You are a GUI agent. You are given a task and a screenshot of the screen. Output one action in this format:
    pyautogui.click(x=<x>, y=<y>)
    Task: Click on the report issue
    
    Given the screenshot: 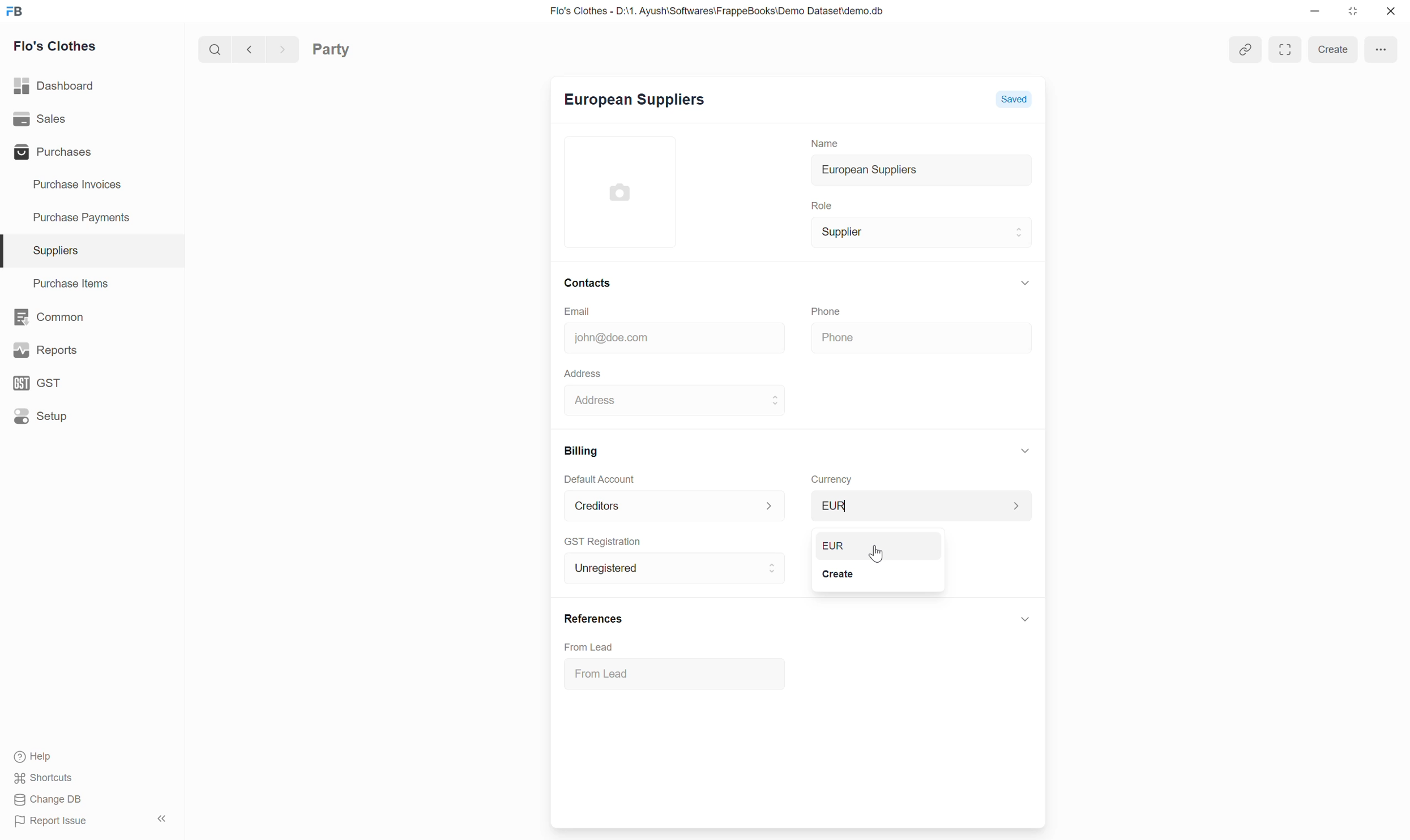 What is the action you would take?
    pyautogui.click(x=51, y=821)
    